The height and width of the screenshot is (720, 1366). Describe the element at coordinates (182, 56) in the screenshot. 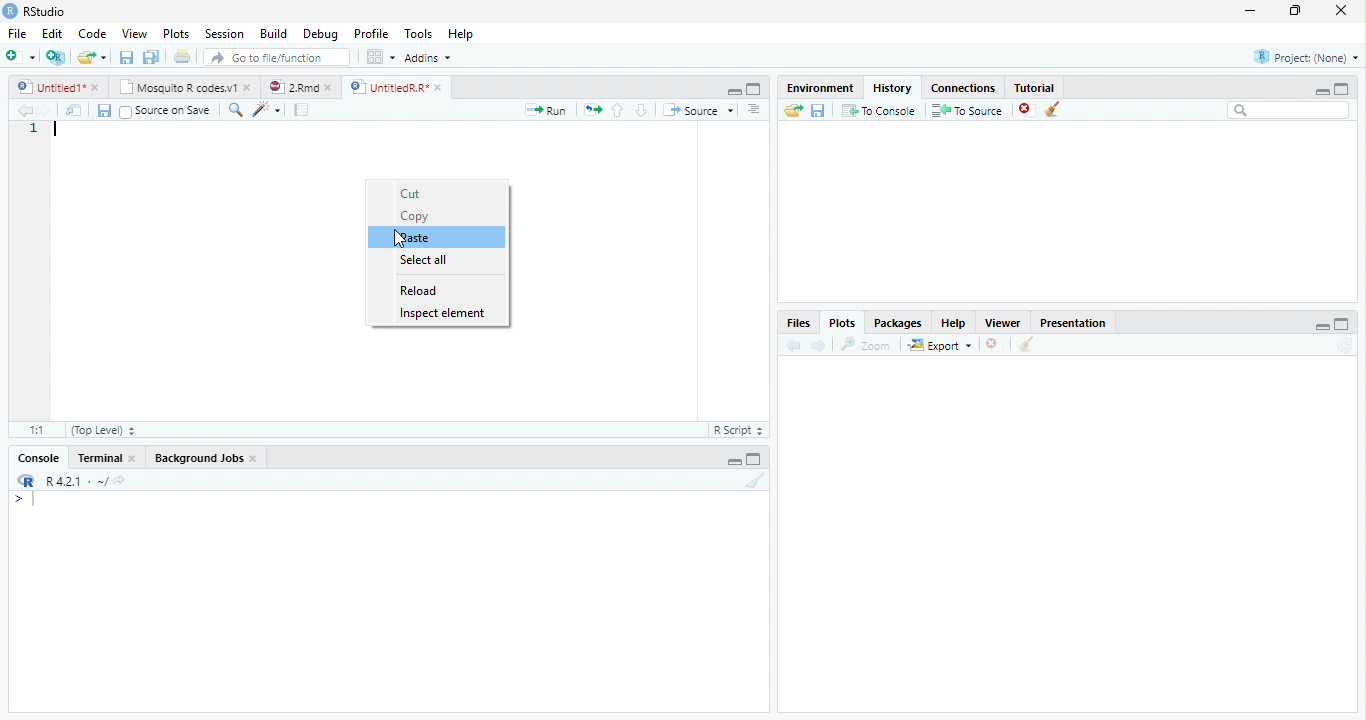

I see `print current file` at that location.